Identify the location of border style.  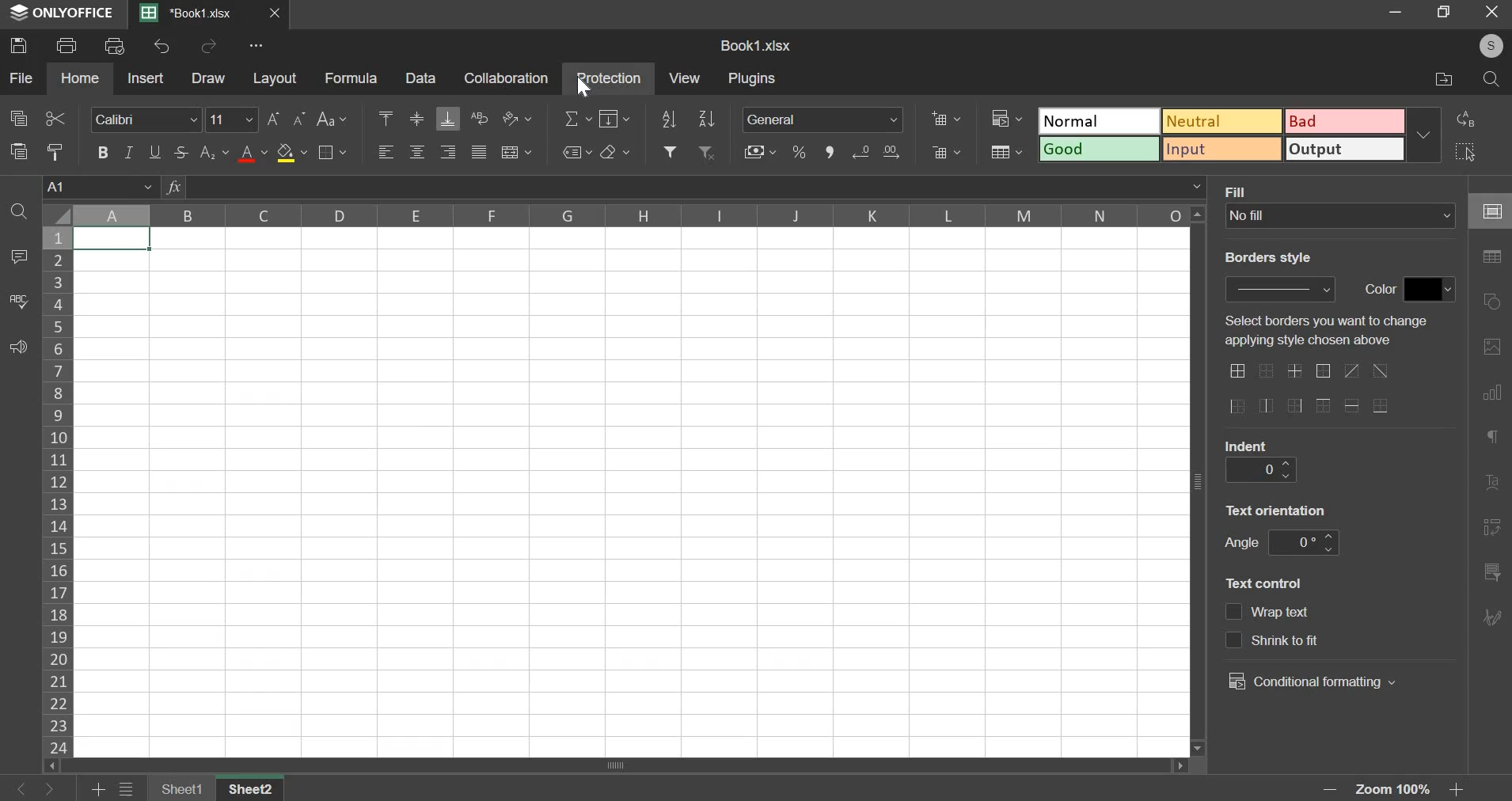
(1282, 288).